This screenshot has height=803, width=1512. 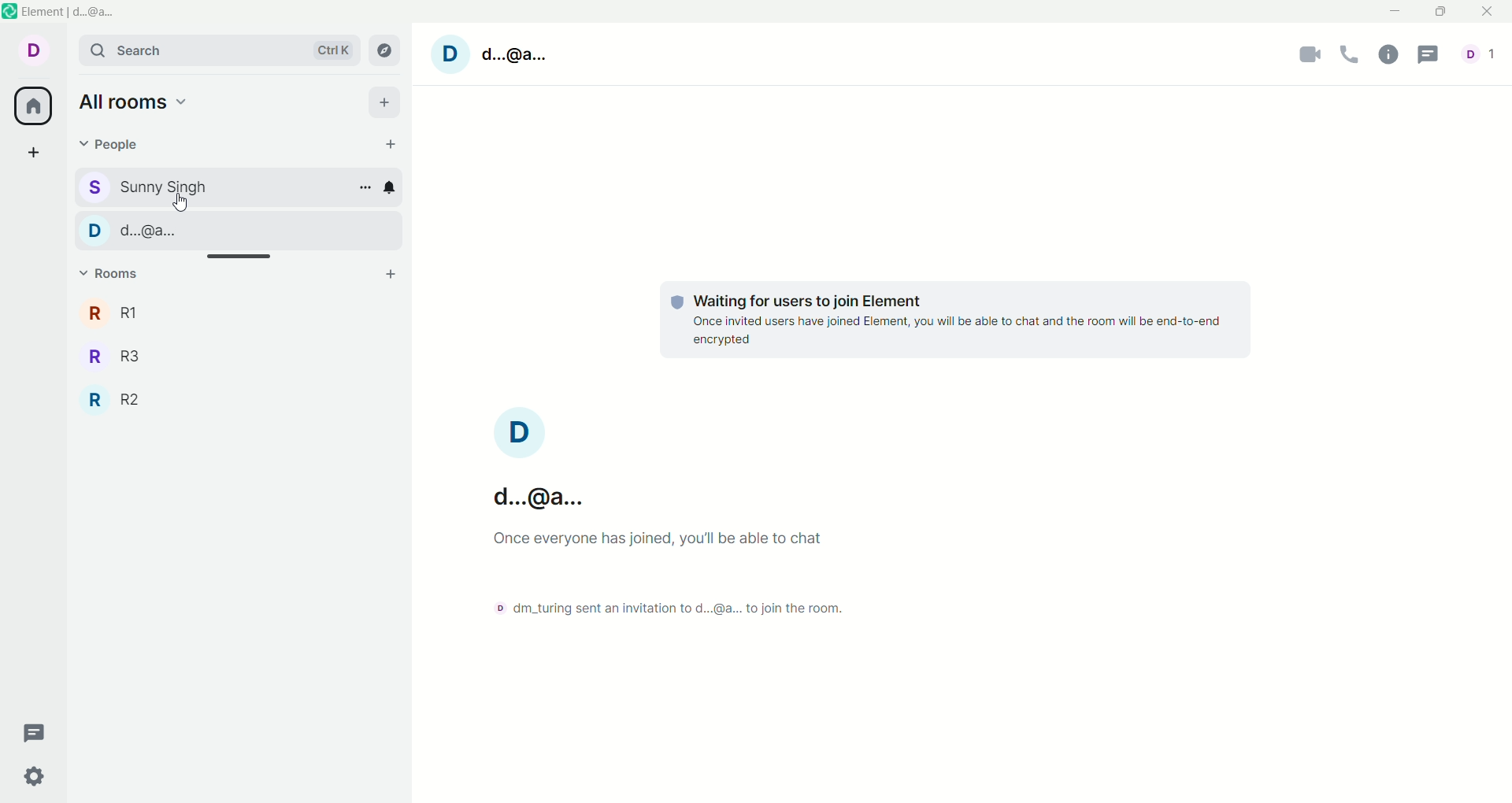 What do you see at coordinates (393, 145) in the screenshot?
I see `start chat` at bounding box center [393, 145].